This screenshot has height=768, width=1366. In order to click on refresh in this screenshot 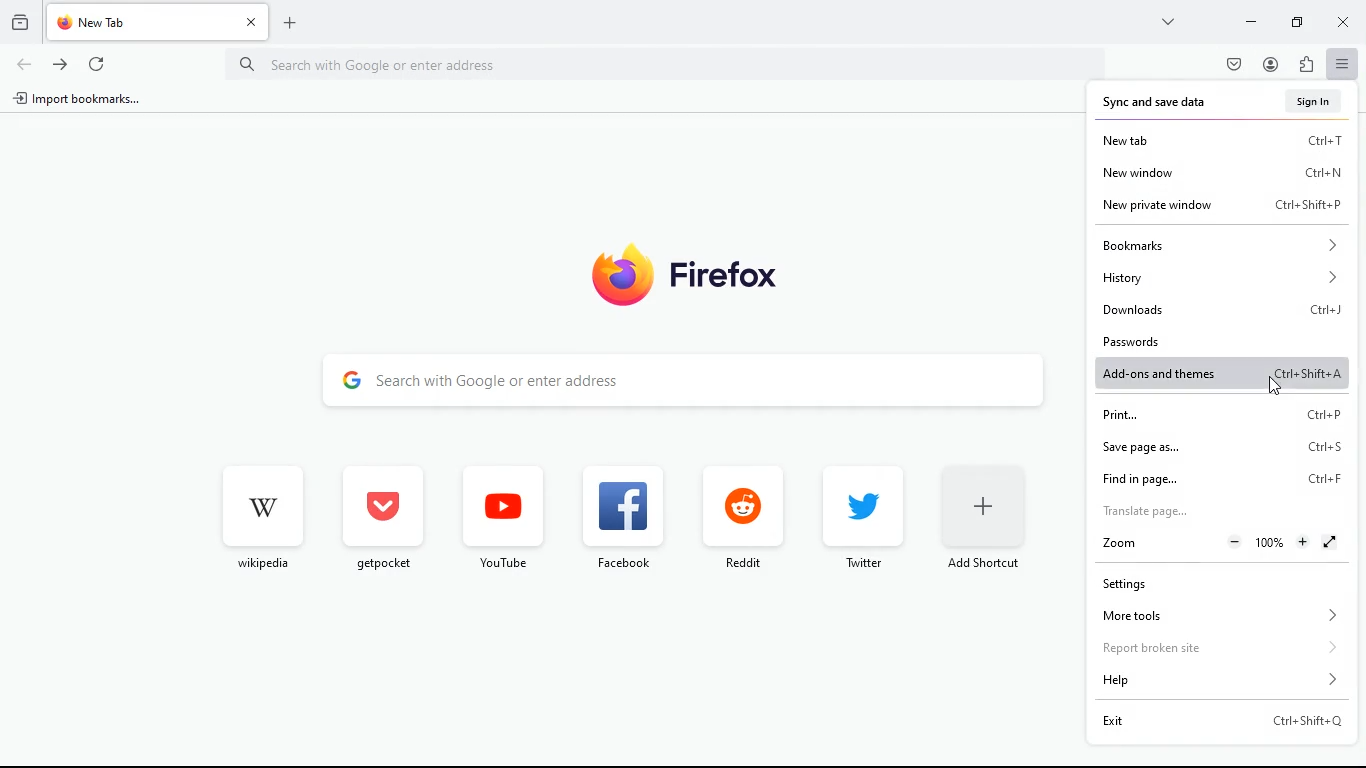, I will do `click(98, 66)`.